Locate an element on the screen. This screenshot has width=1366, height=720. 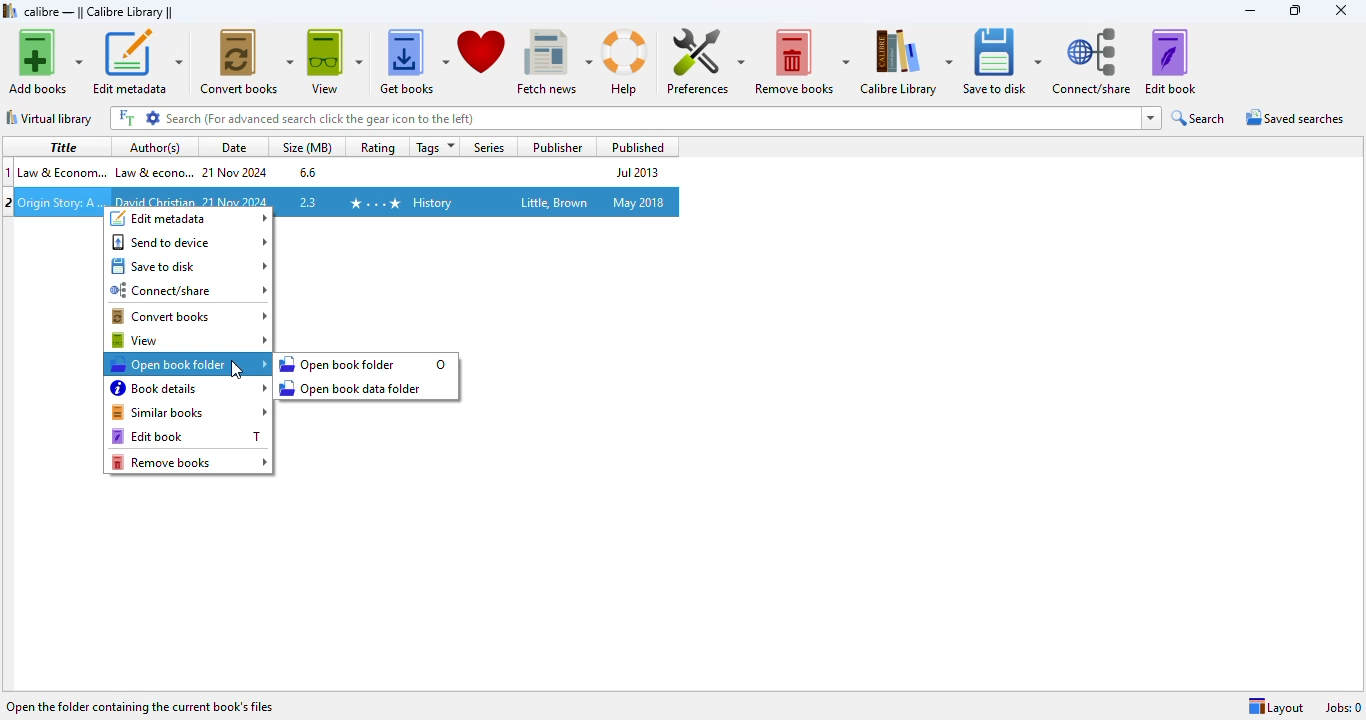
dropdown is located at coordinates (1152, 118).